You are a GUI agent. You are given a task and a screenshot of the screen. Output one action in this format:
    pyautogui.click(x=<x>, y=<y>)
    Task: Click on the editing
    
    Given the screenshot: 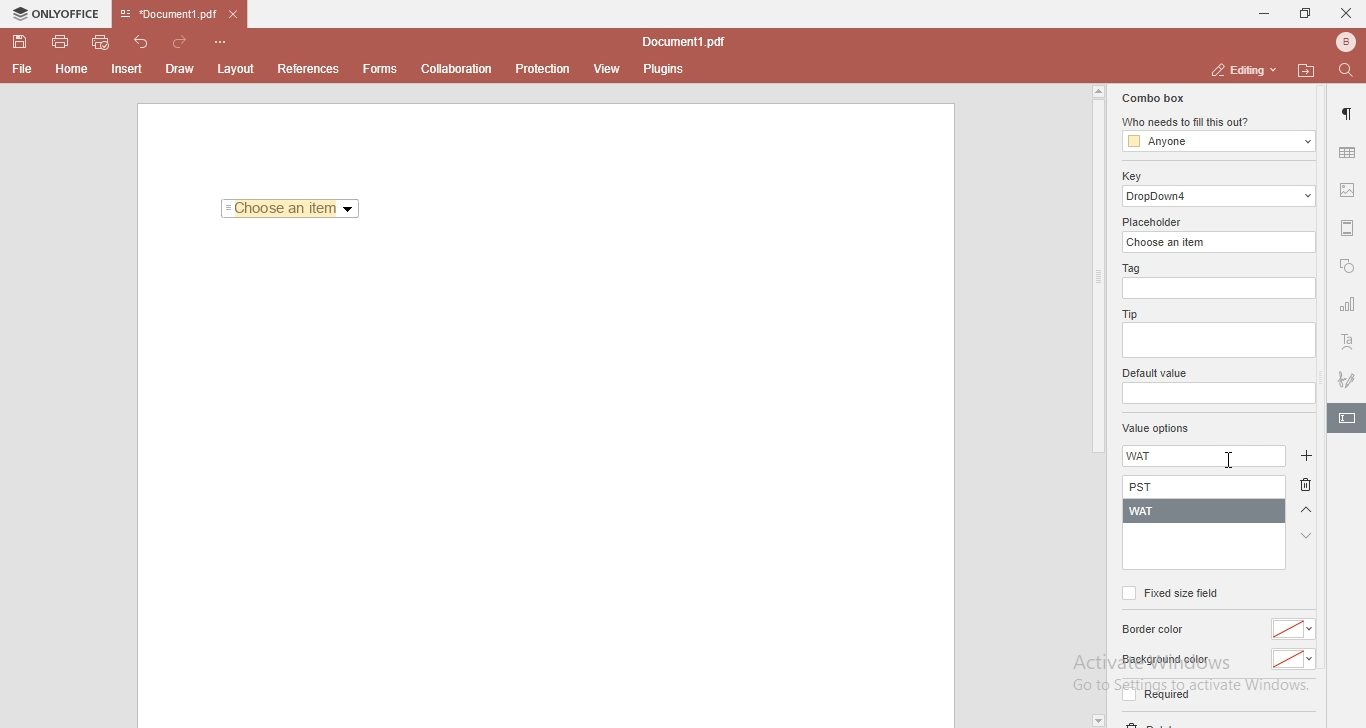 What is the action you would take?
    pyautogui.click(x=1241, y=69)
    